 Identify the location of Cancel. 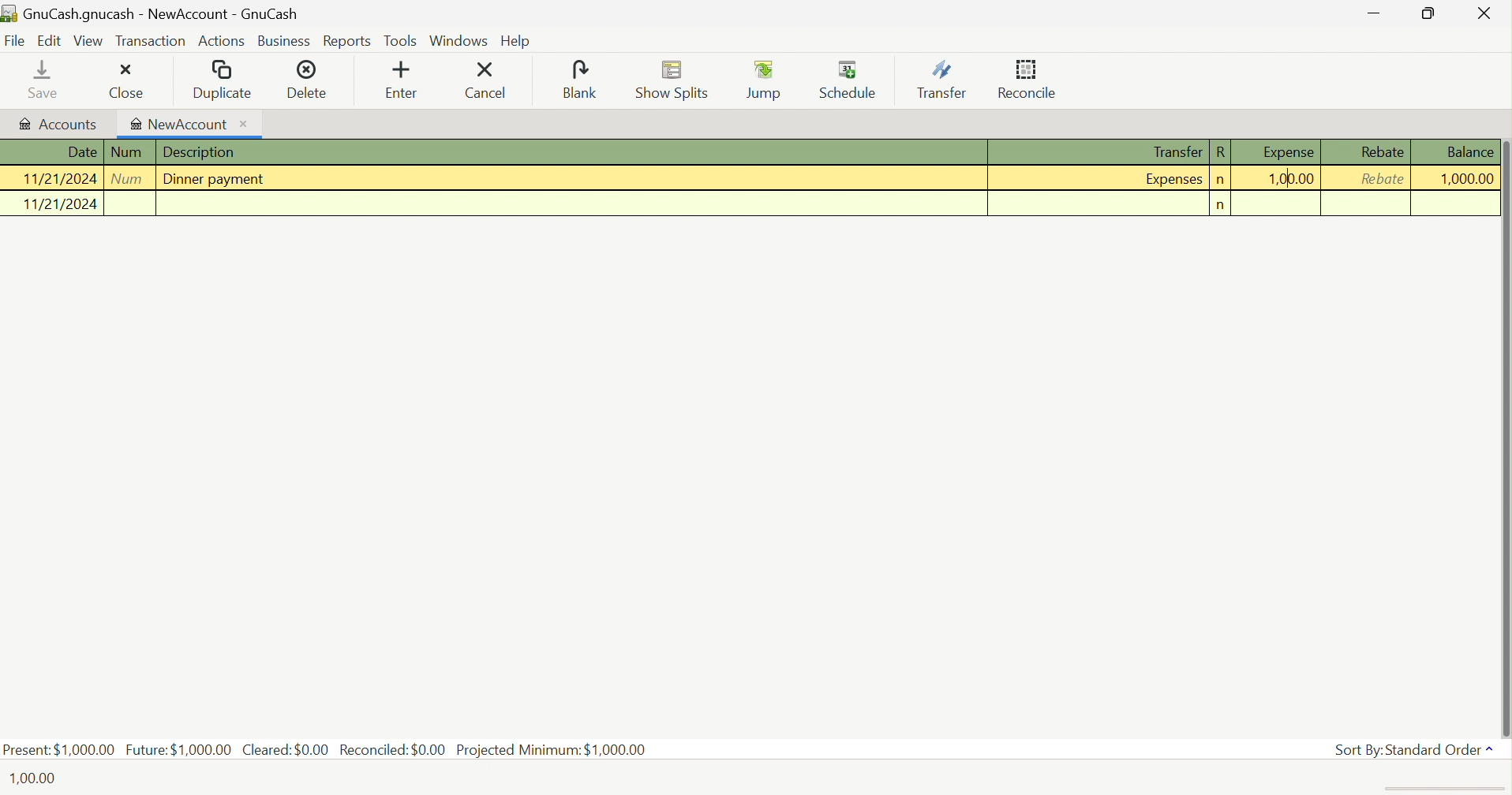
(490, 80).